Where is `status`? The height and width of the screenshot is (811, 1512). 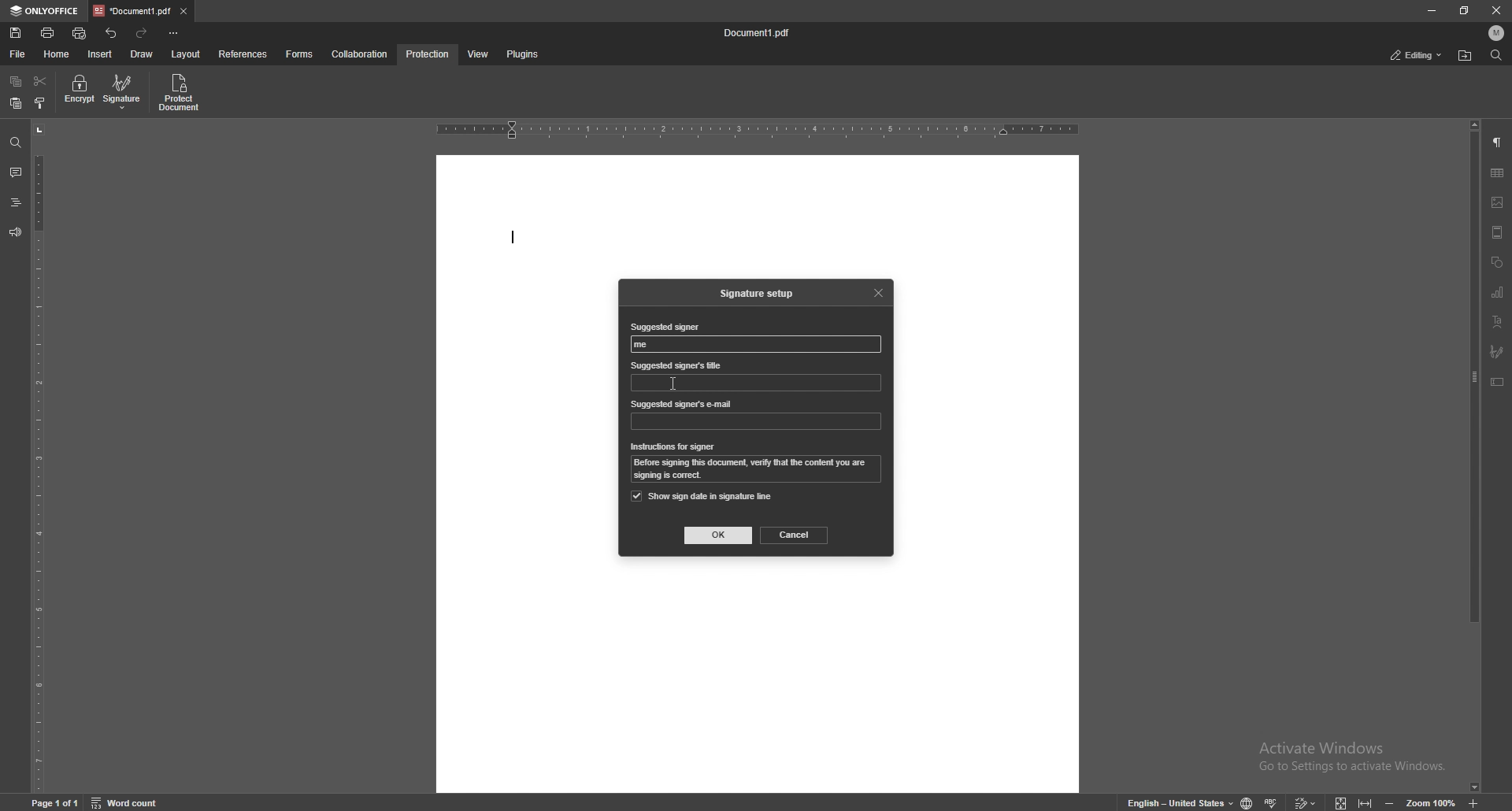 status is located at coordinates (1417, 56).